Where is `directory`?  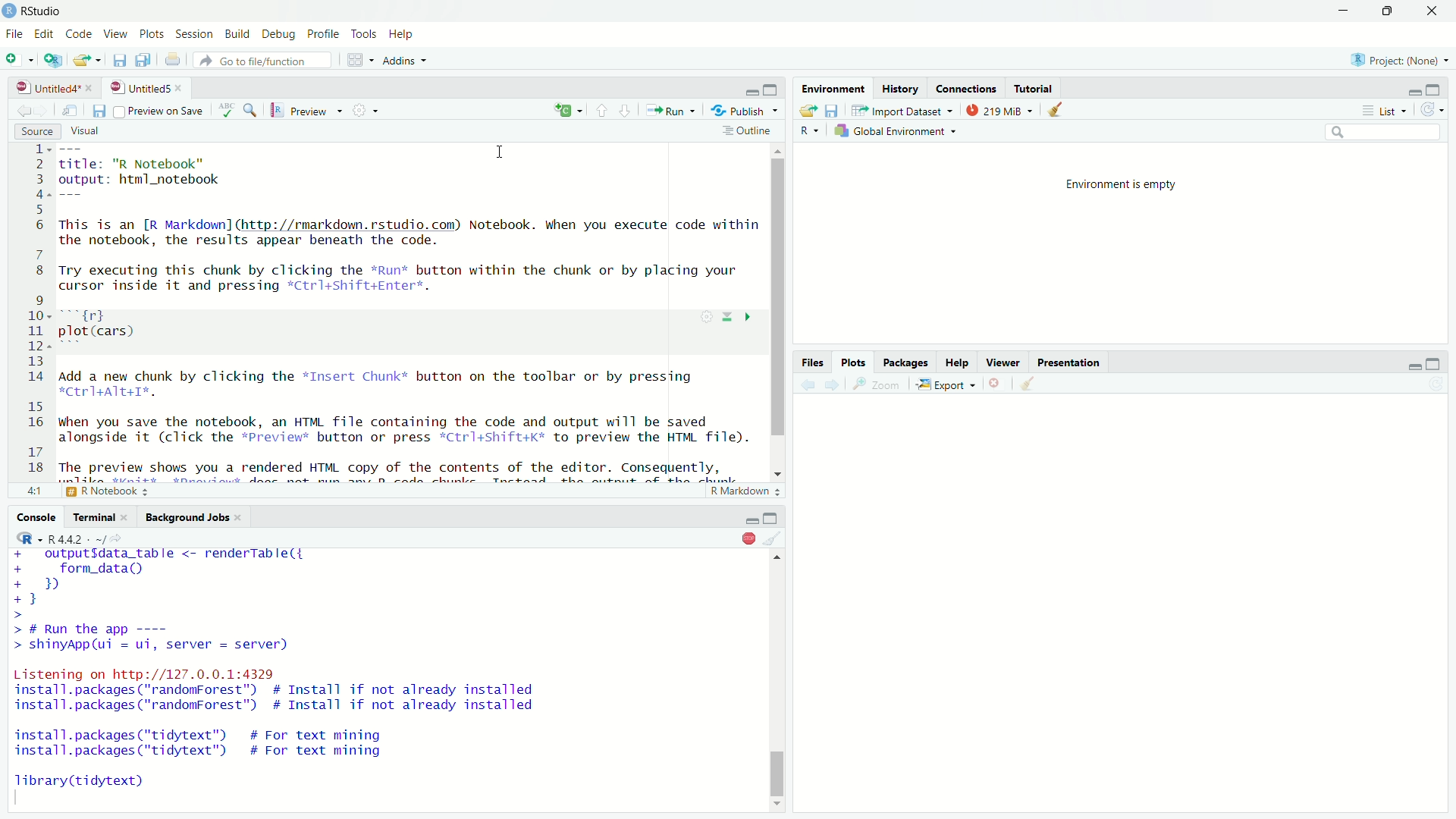 directory is located at coordinates (117, 538).